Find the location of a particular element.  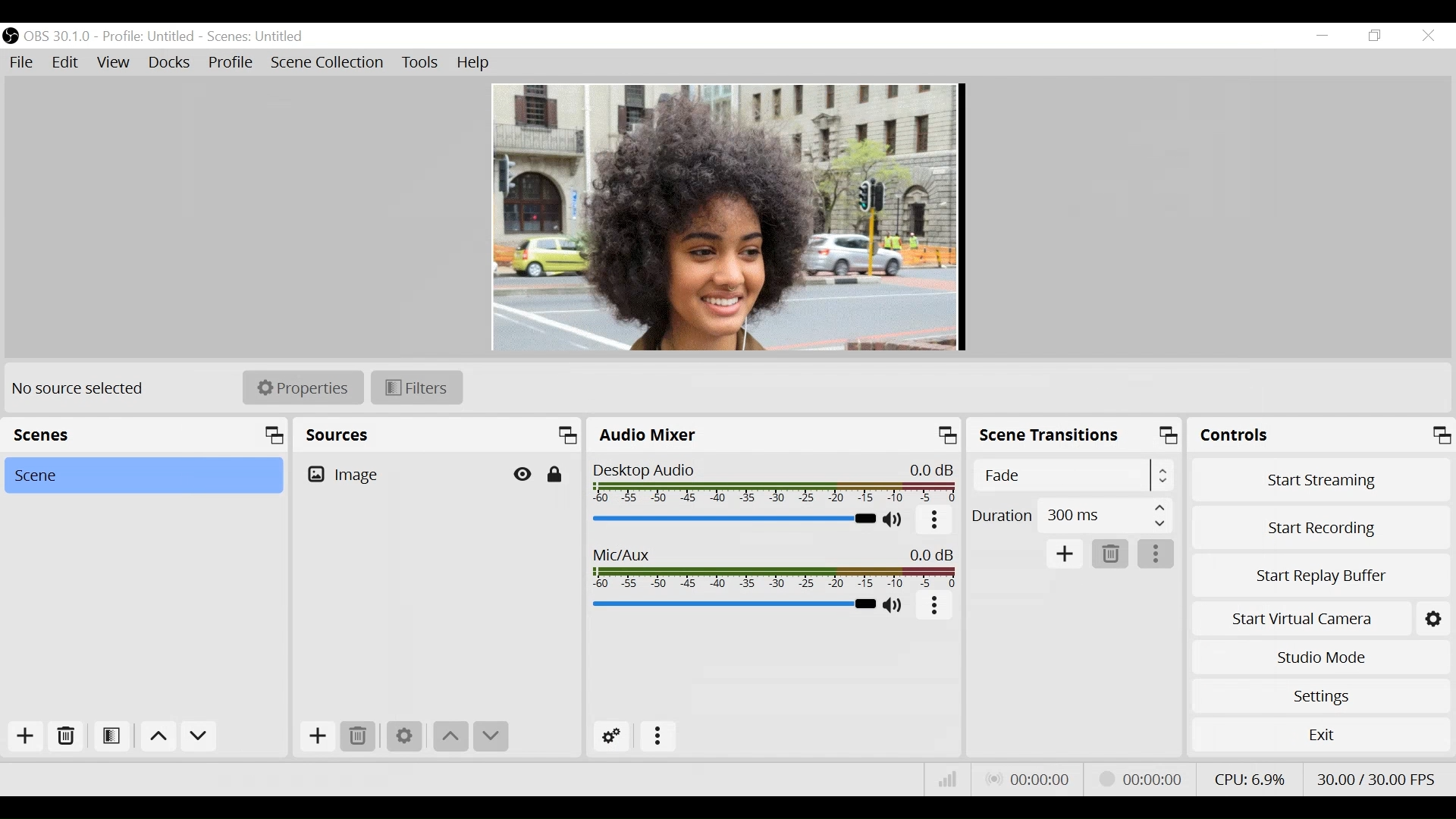

Docks is located at coordinates (169, 63).